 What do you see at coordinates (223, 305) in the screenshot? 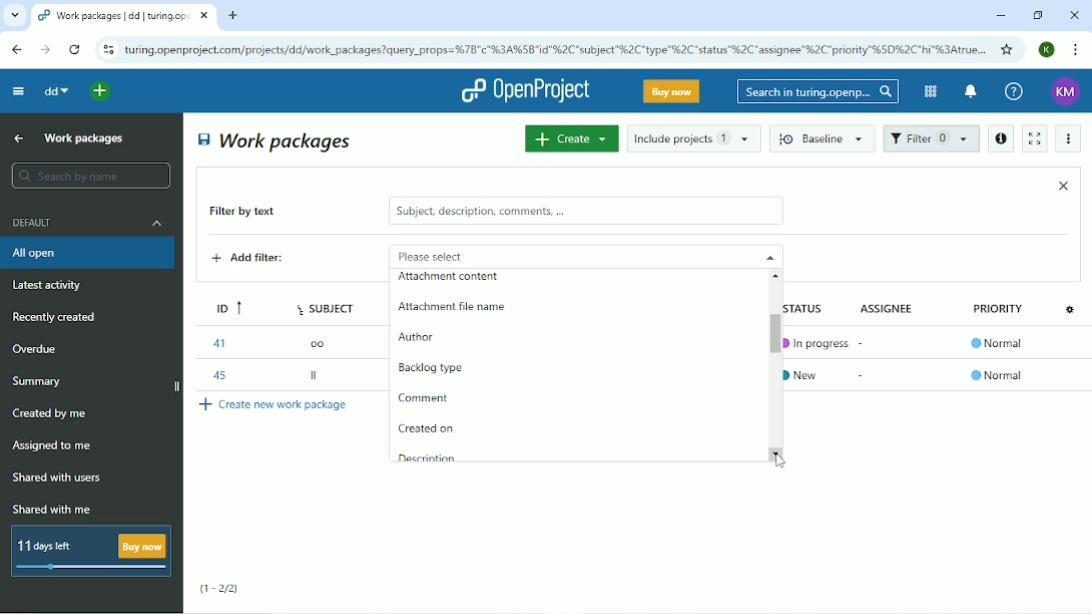
I see `ID` at bounding box center [223, 305].